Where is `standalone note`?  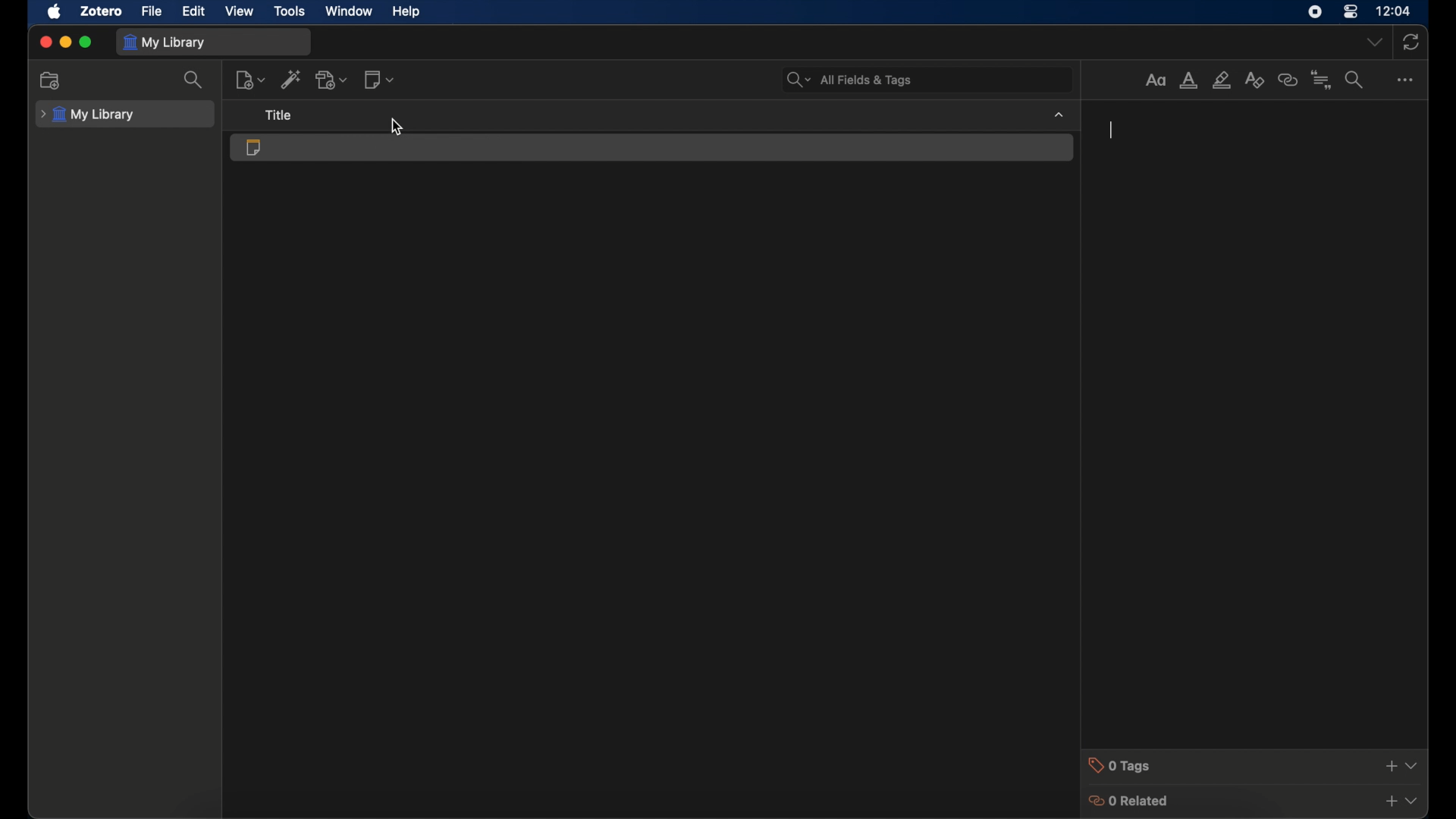 standalone note is located at coordinates (254, 148).